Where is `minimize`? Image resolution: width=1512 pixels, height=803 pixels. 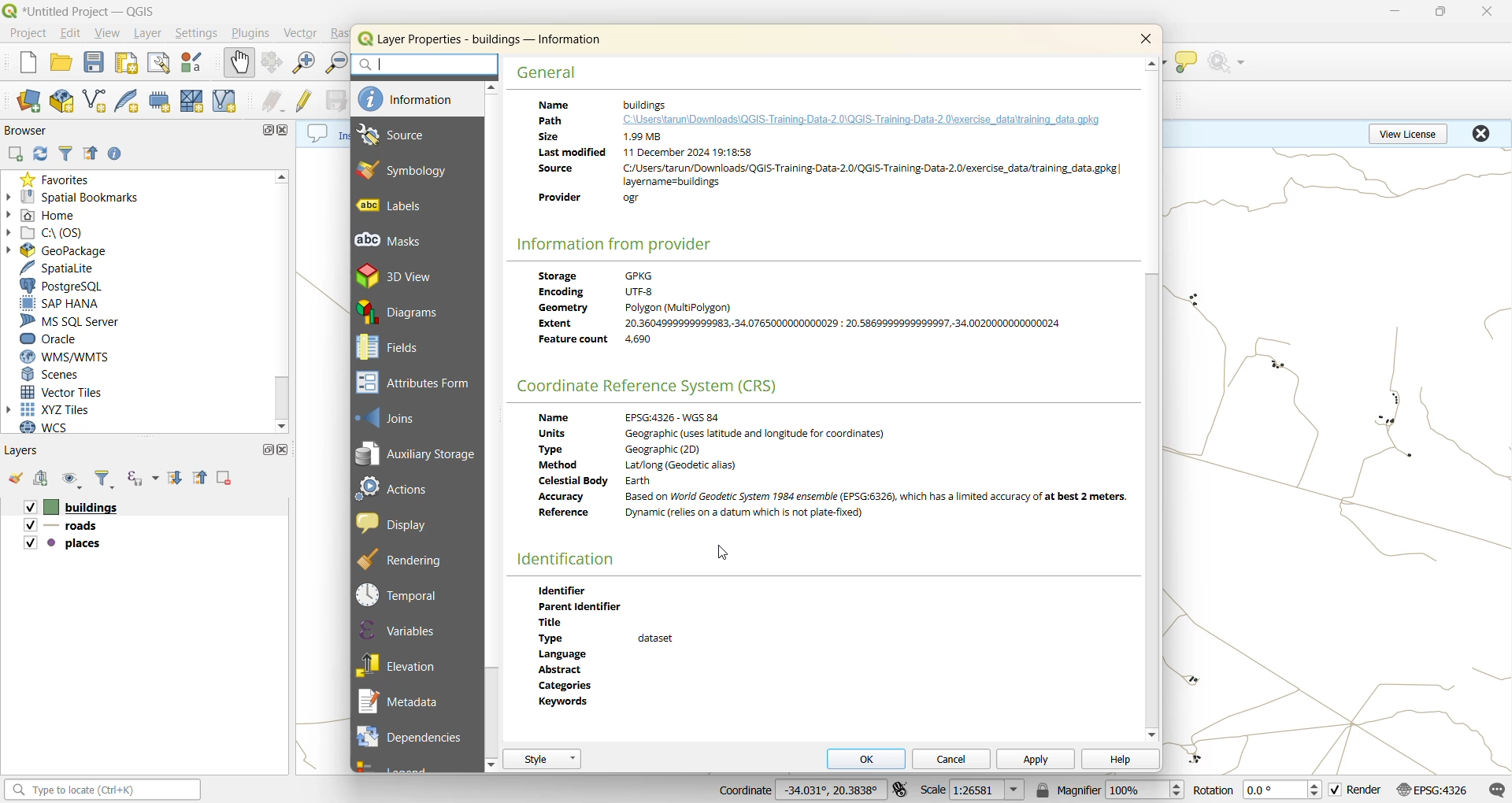 minimize is located at coordinates (263, 130).